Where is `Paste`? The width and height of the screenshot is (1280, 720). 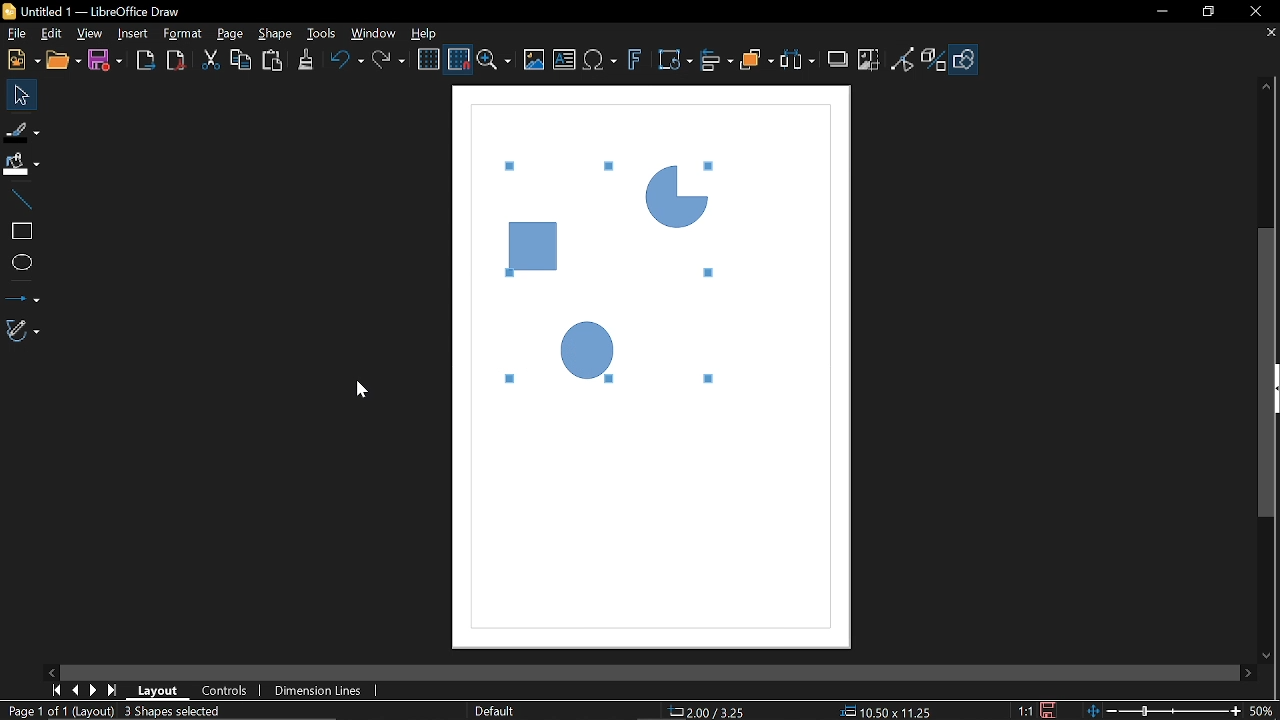
Paste is located at coordinates (275, 61).